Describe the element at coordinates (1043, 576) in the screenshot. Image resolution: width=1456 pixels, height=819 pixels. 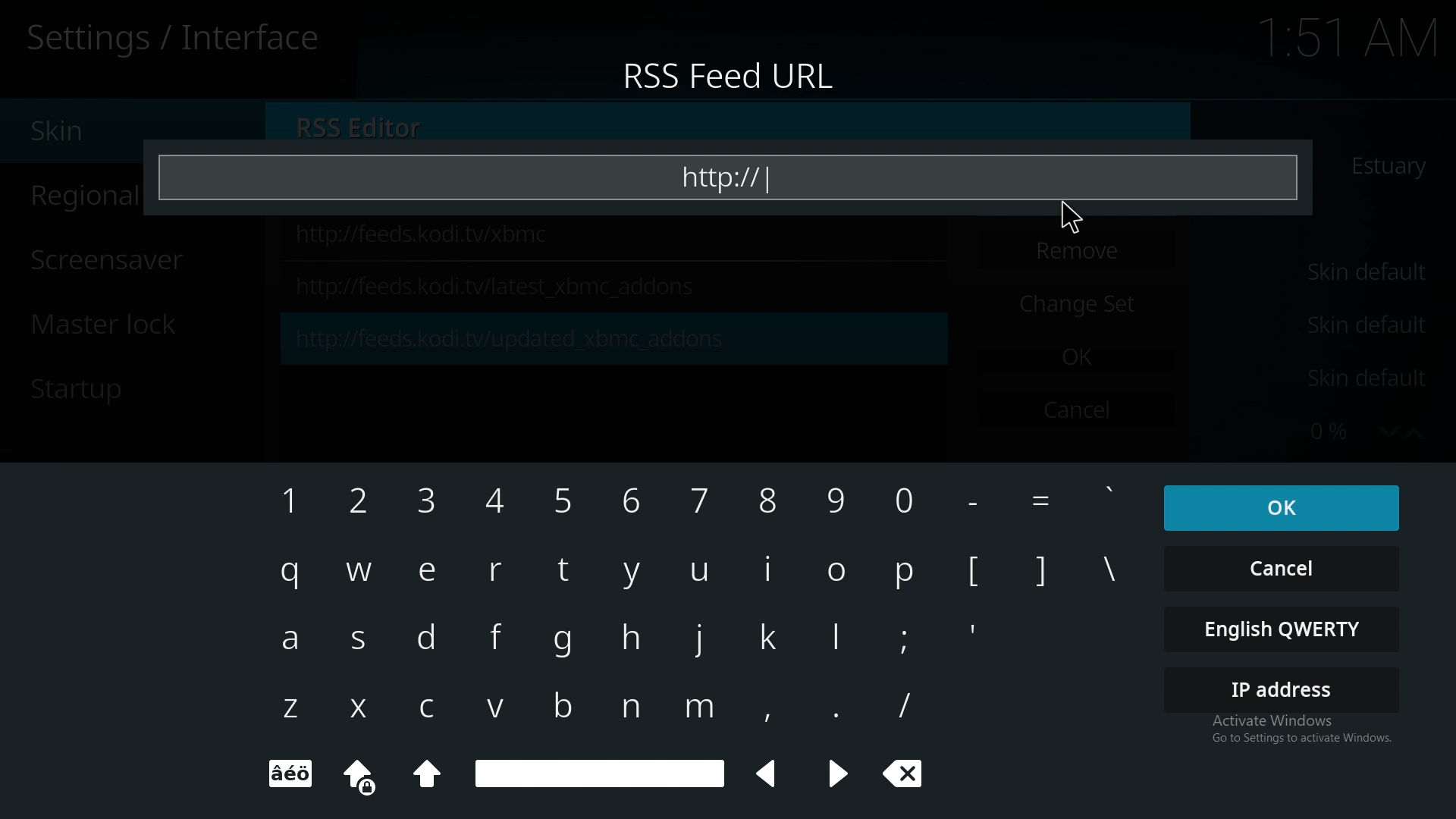
I see `]` at that location.